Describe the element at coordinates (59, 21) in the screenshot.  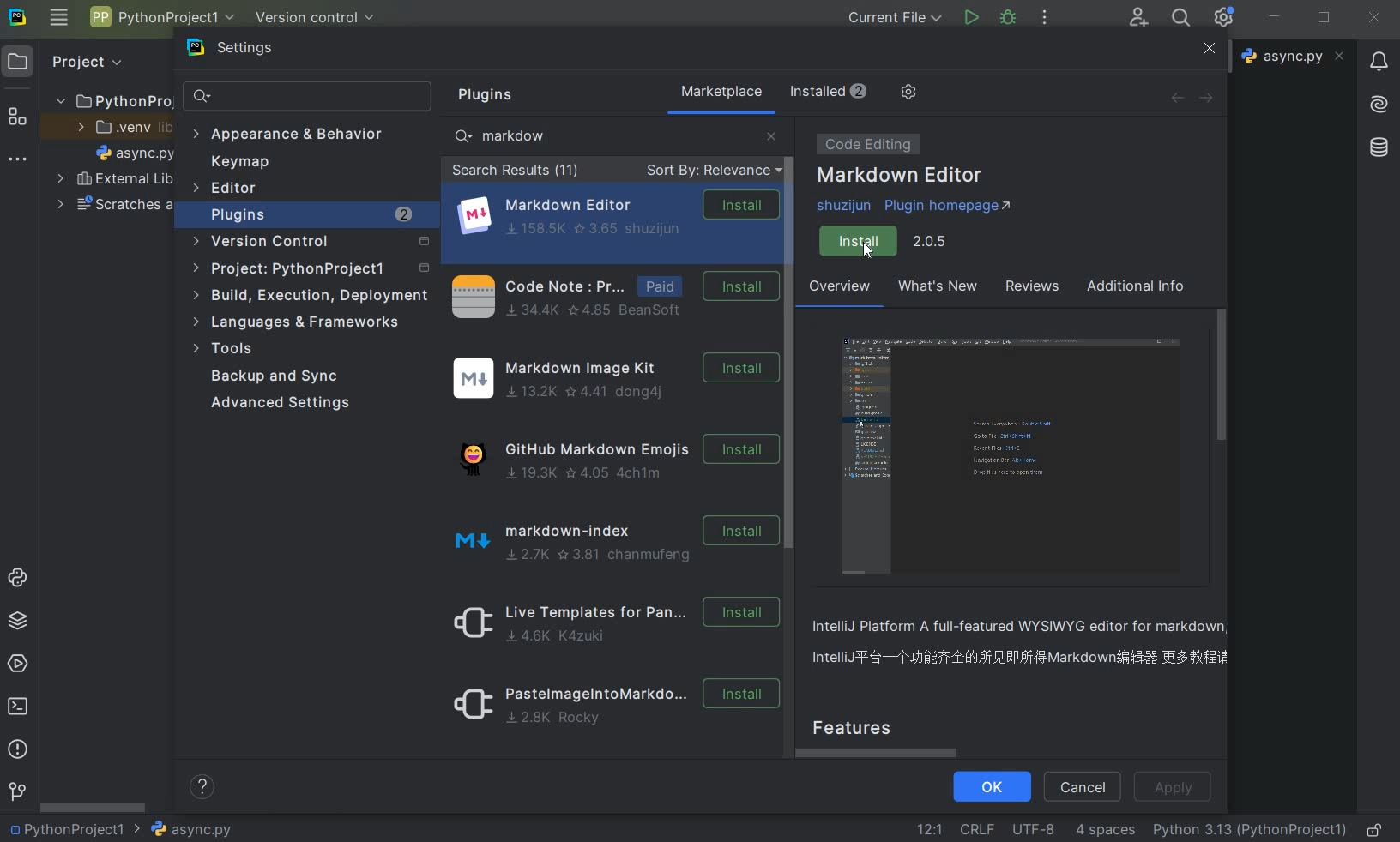
I see `main menu` at that location.